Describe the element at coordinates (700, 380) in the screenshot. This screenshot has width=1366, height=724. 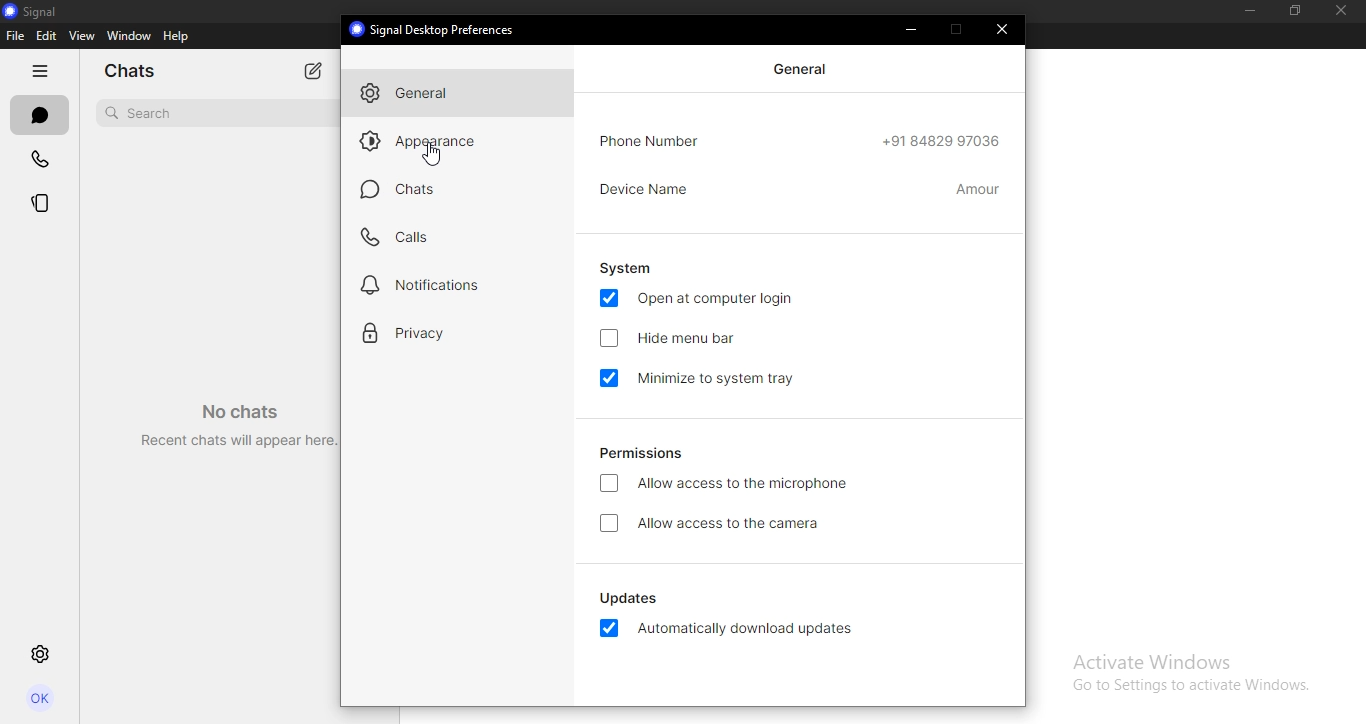
I see `minimize to system tray` at that location.